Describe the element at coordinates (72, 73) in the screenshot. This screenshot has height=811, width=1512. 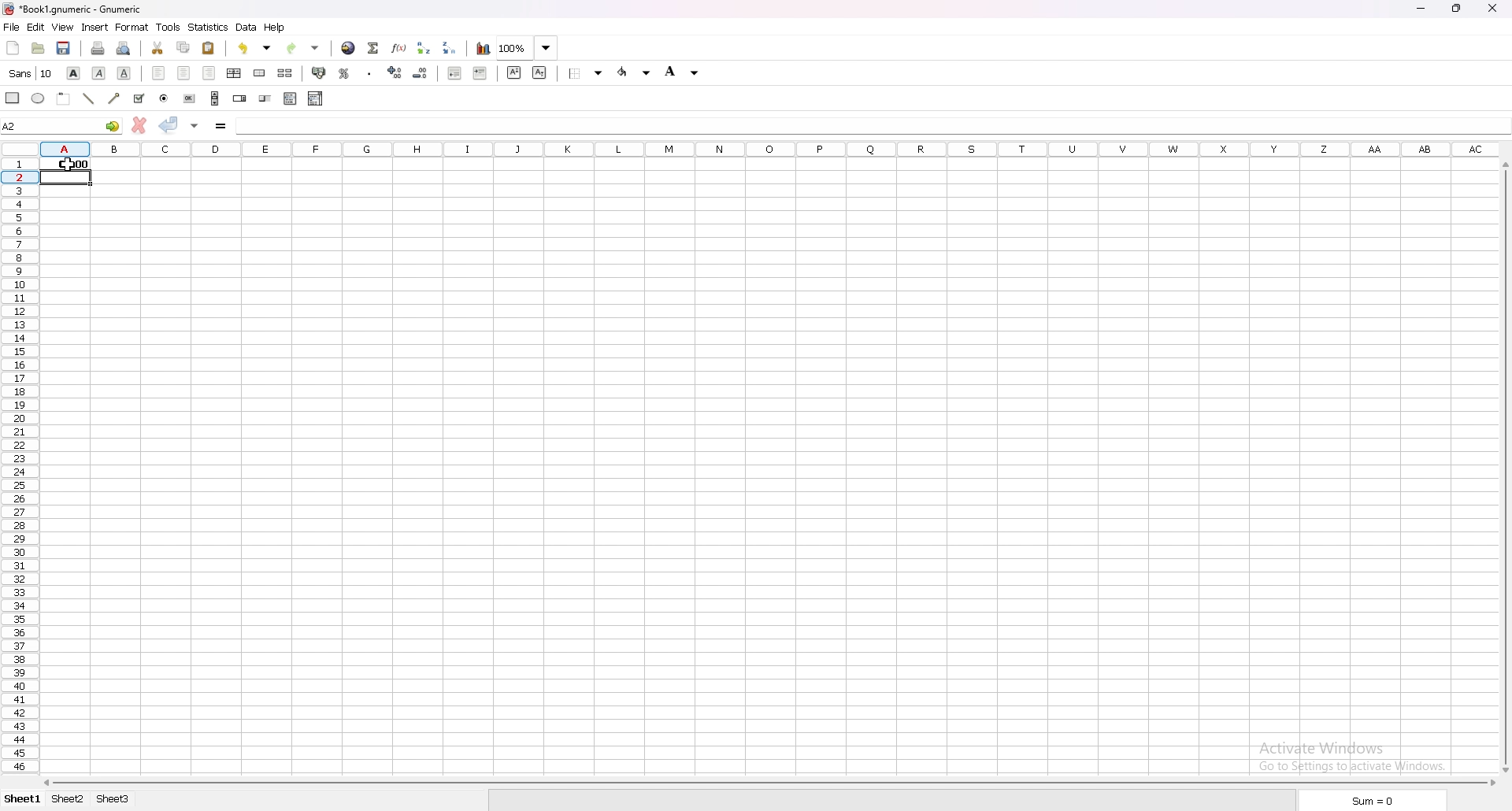
I see `bold` at that location.